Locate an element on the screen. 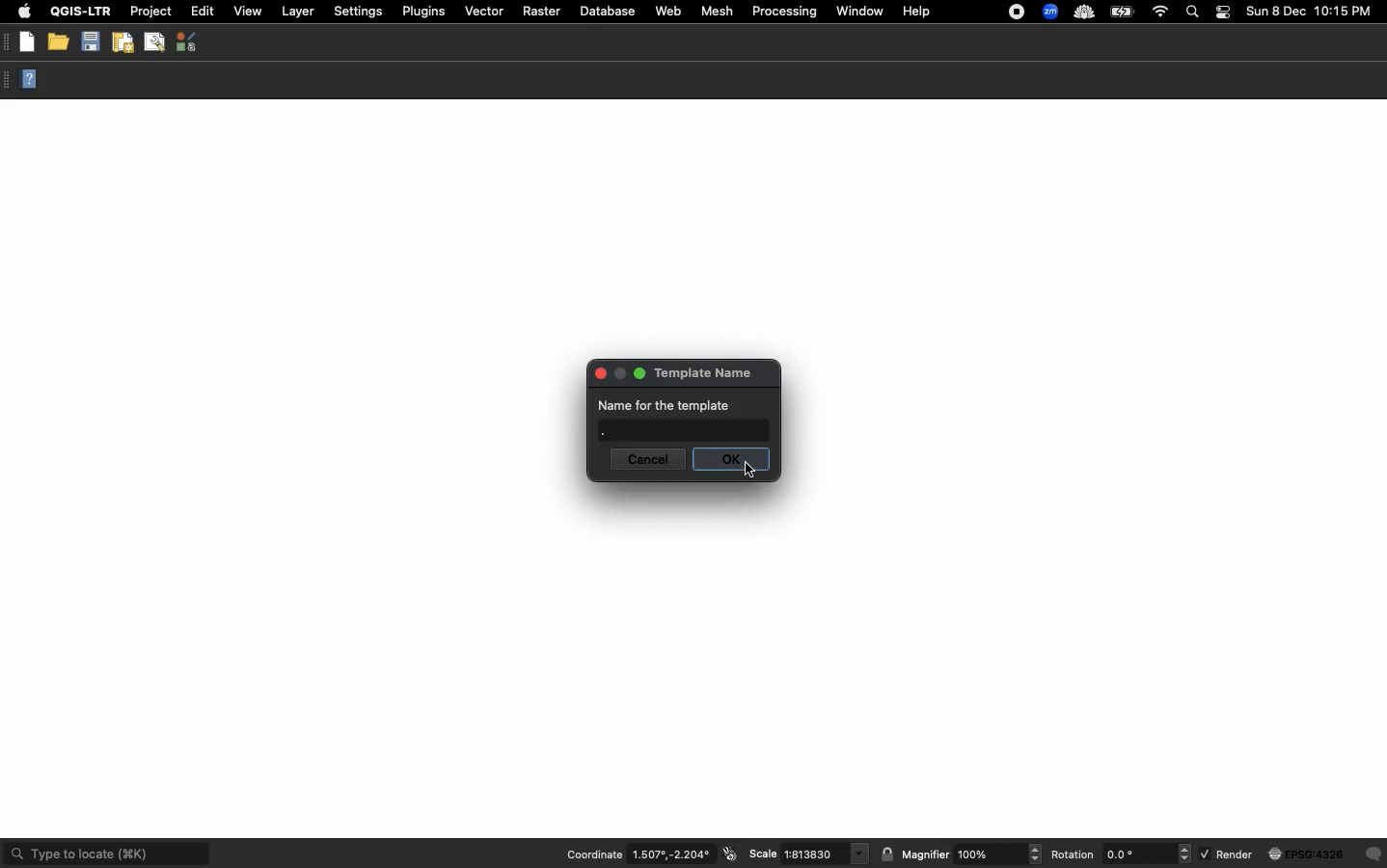 The height and width of the screenshot is (868, 1387). globe is located at coordinates (1309, 854).